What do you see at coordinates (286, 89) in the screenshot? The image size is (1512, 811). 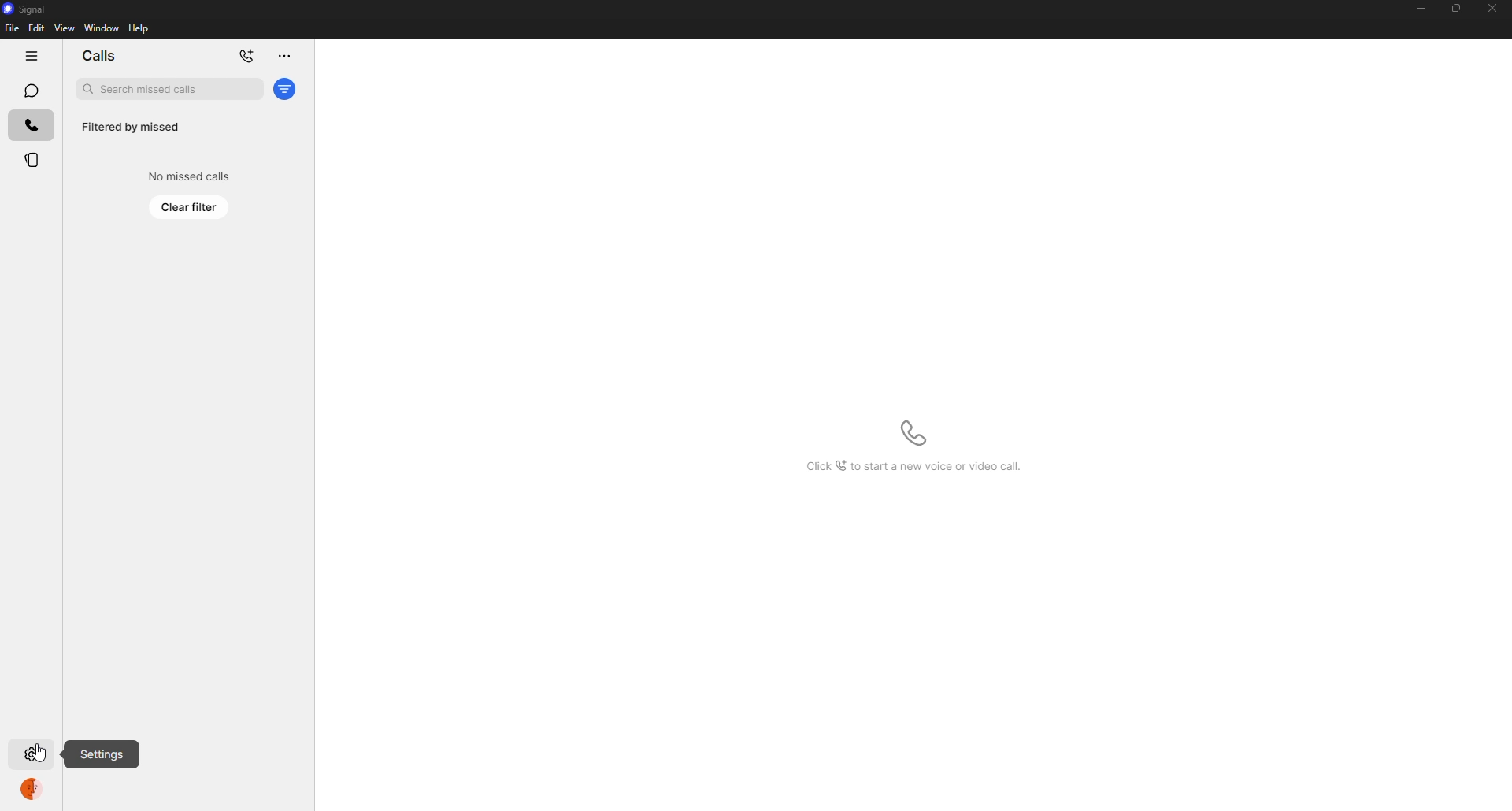 I see `filter` at bounding box center [286, 89].